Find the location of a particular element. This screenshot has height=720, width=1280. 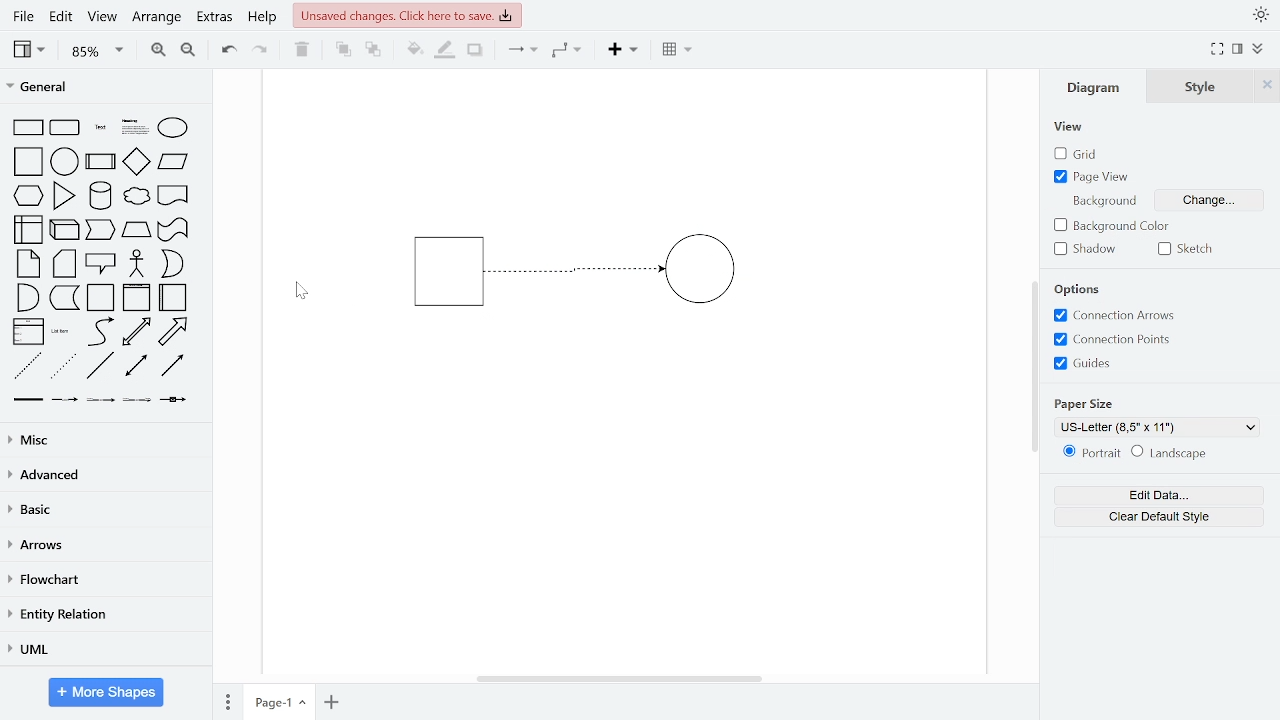

cloud is located at coordinates (135, 197).